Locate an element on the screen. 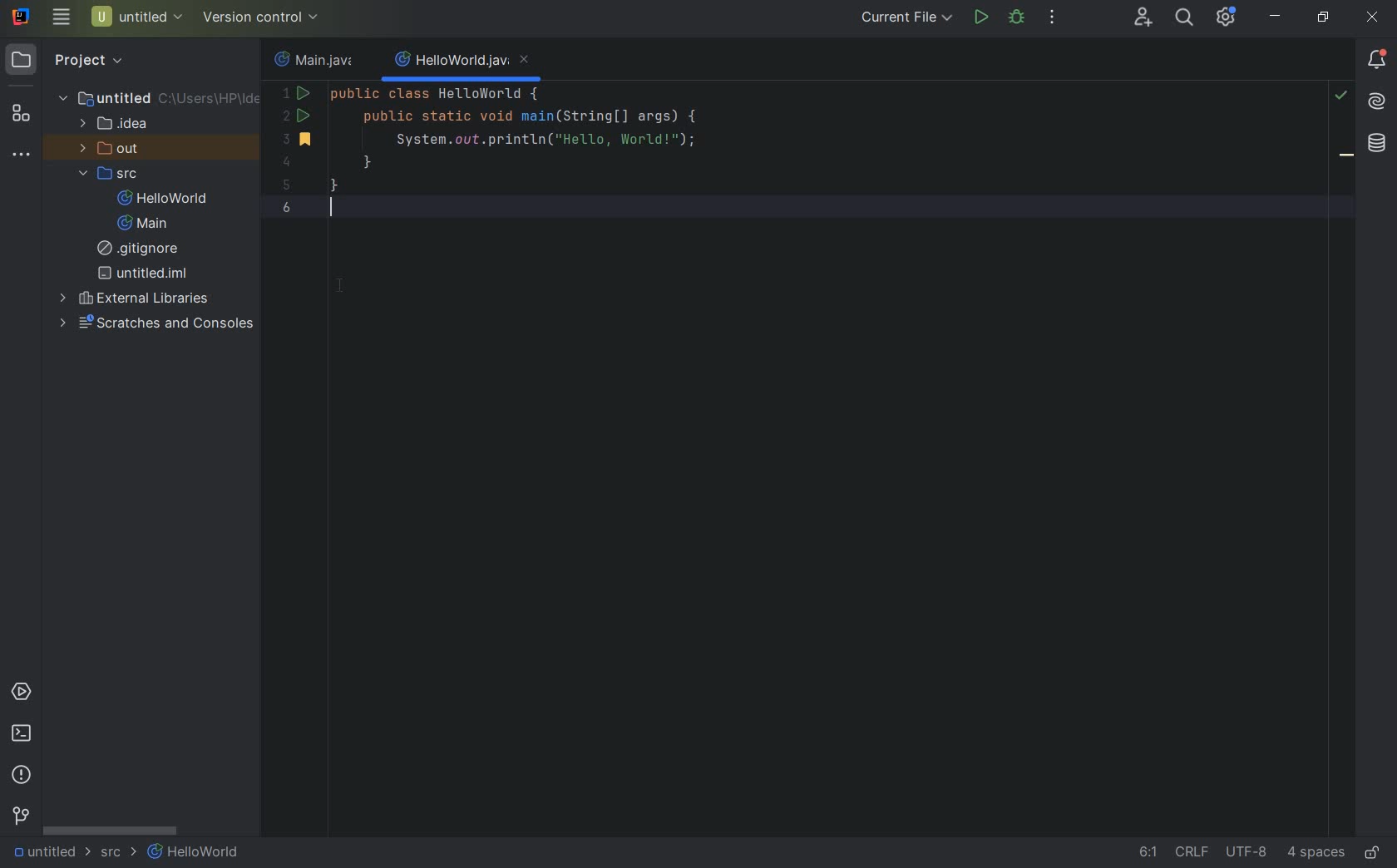 Image resolution: width=1397 pixels, height=868 pixels. structure is located at coordinates (20, 116).